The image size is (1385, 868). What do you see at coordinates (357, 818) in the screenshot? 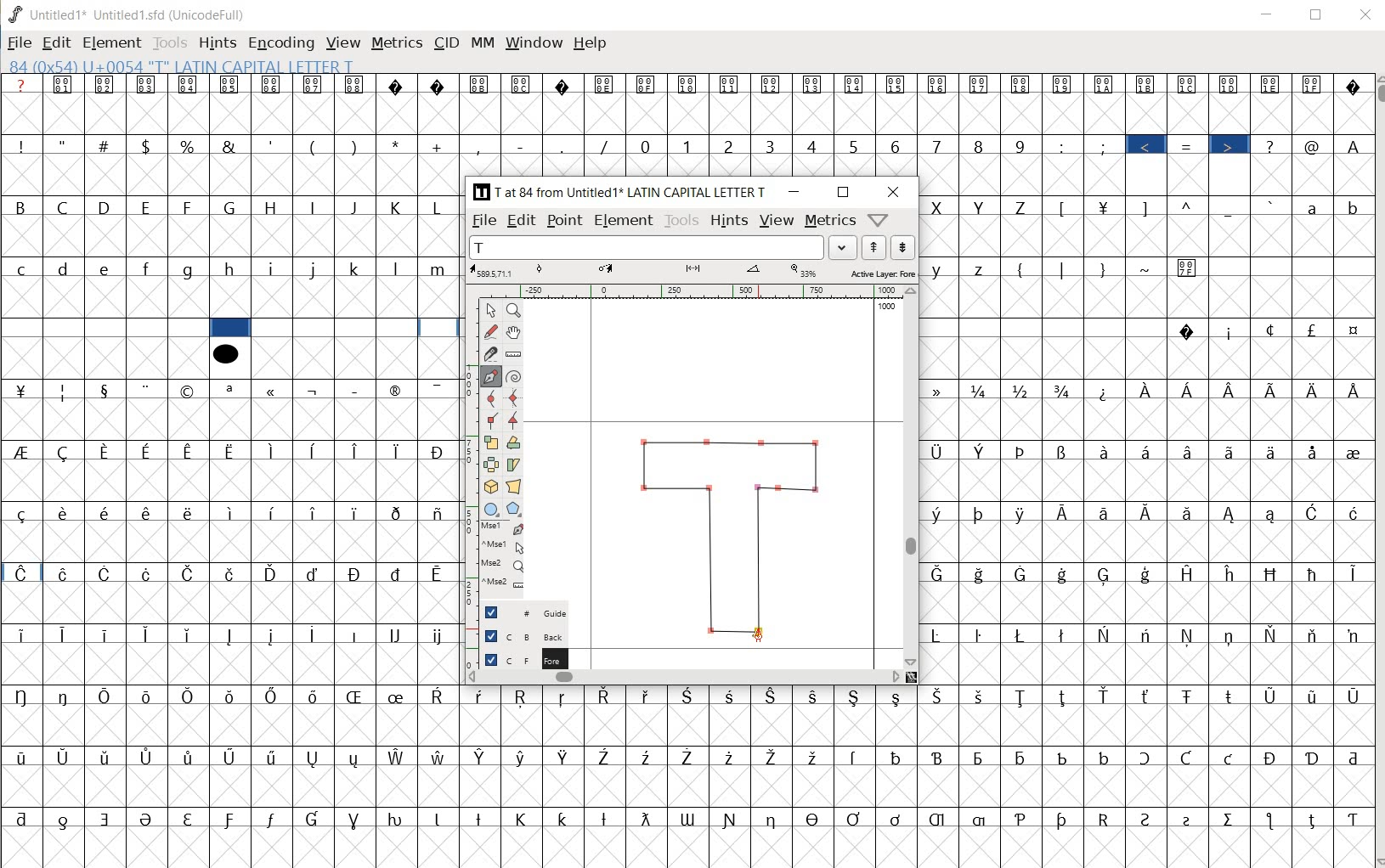
I see `Symbol` at bounding box center [357, 818].